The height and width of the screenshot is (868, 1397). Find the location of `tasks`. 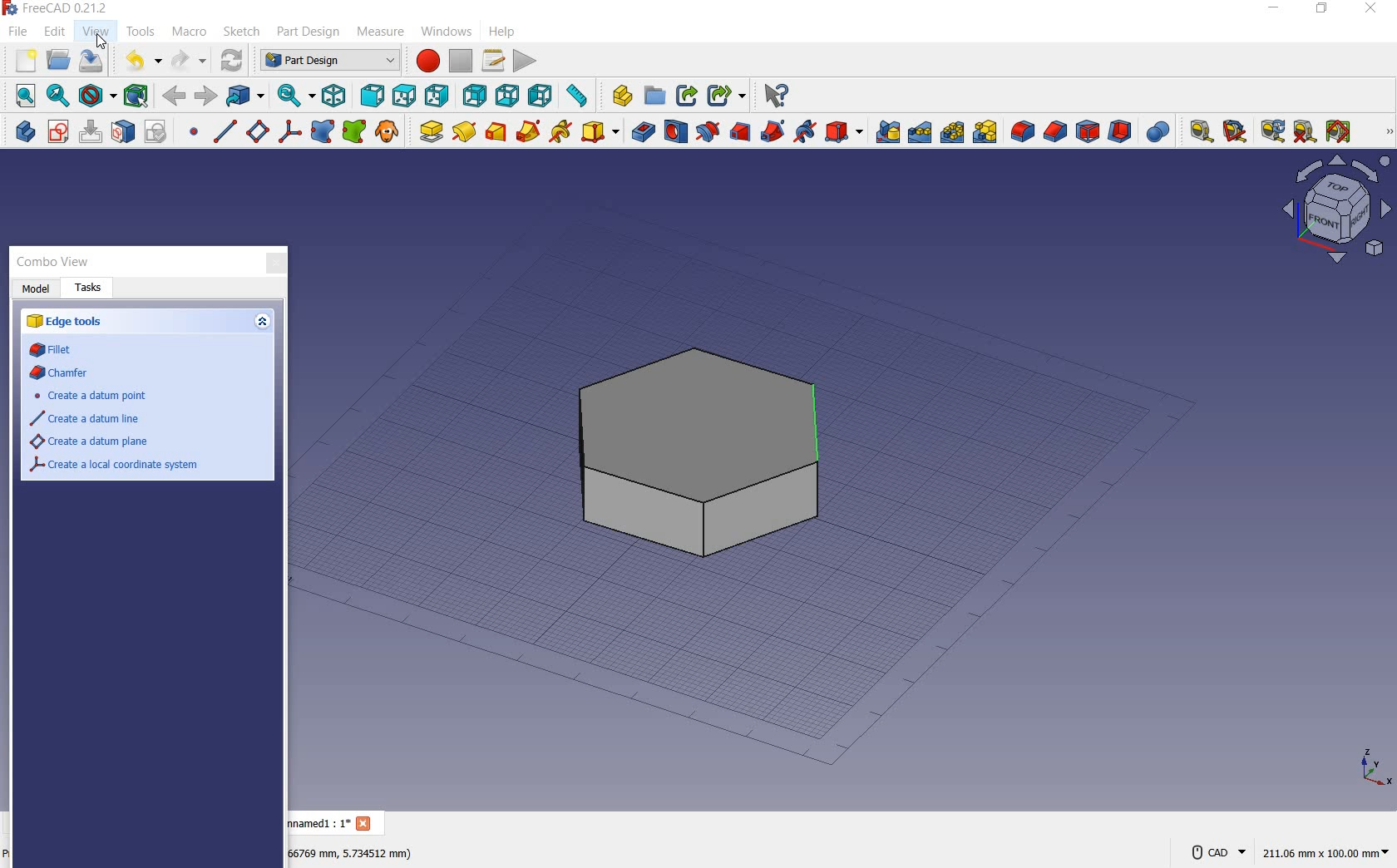

tasks is located at coordinates (91, 291).